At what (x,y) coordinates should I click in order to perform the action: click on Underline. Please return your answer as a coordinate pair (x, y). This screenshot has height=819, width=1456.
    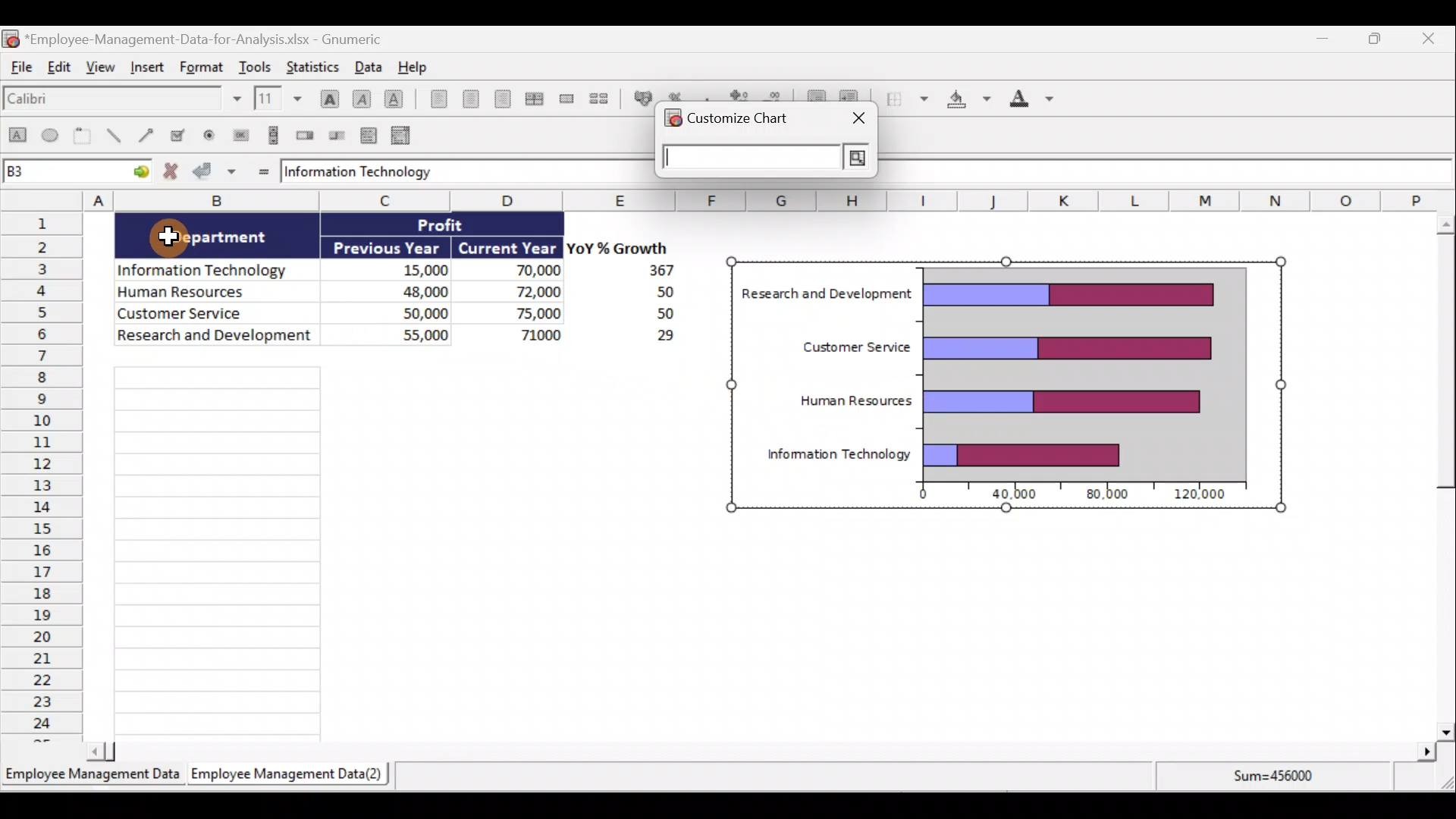
    Looking at the image, I should click on (397, 102).